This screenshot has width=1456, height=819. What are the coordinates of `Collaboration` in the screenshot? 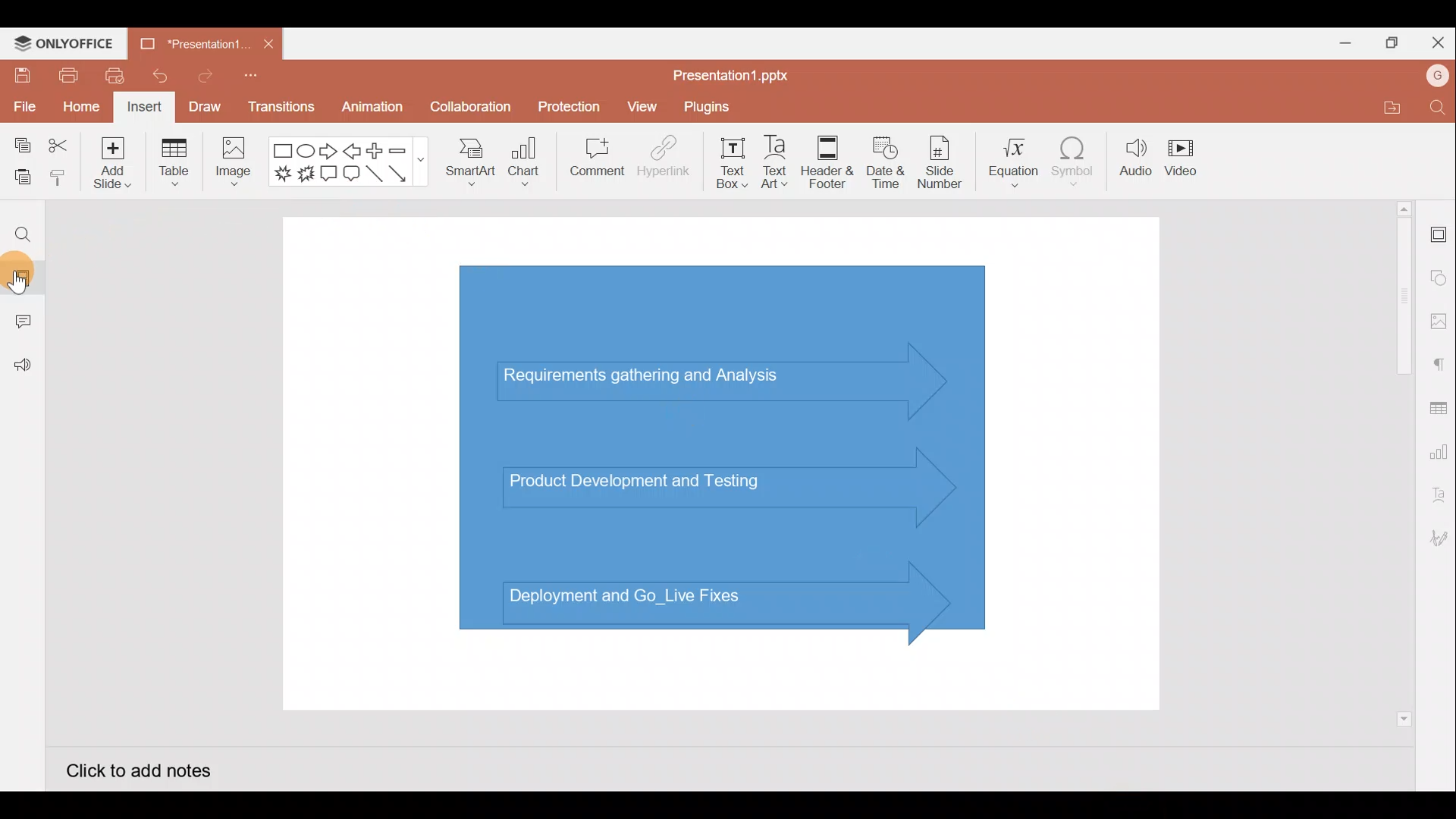 It's located at (469, 107).